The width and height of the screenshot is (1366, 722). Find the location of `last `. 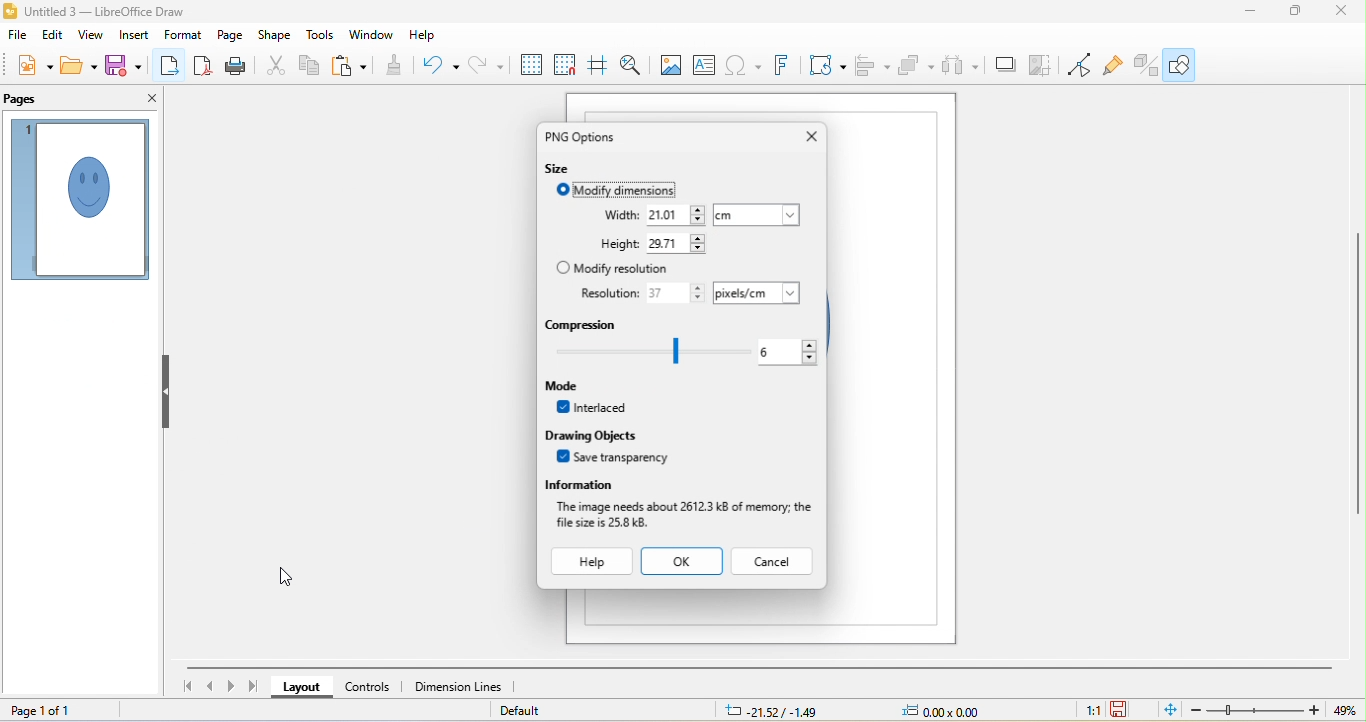

last  is located at coordinates (254, 685).